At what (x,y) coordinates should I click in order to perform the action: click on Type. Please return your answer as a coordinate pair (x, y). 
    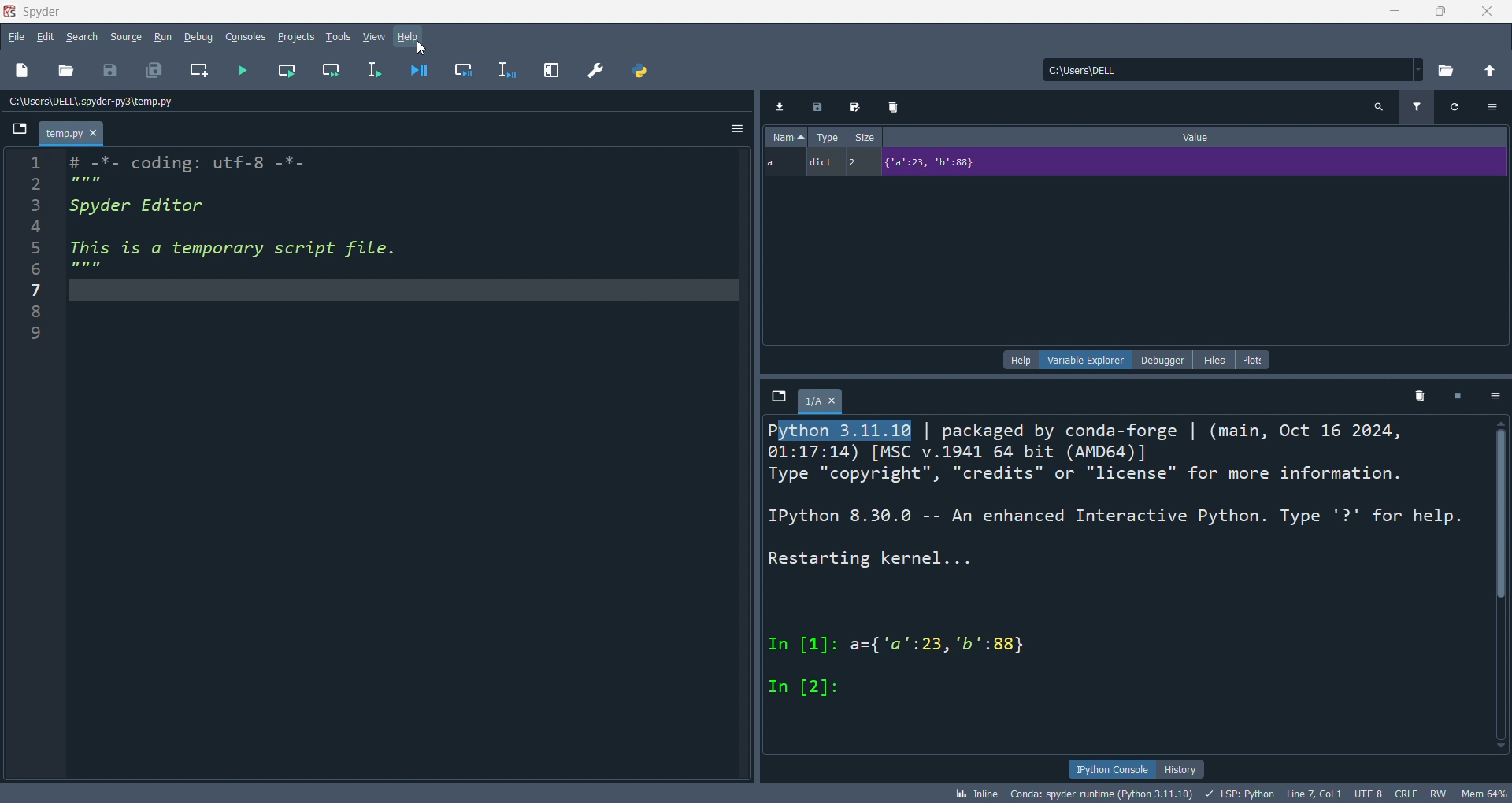
    Looking at the image, I should click on (828, 136).